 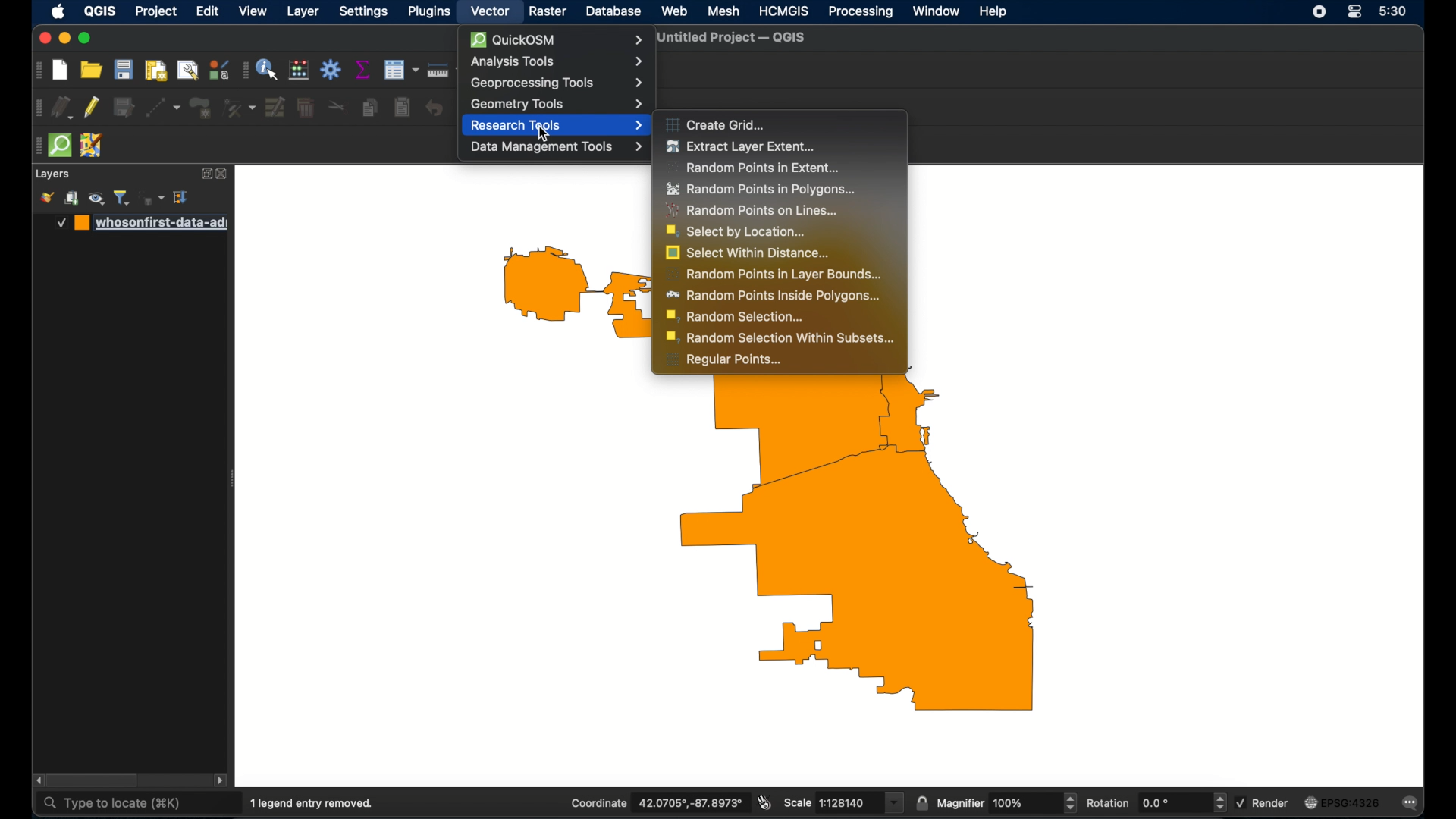 I want to click on whoseonfirst-date-ad, so click(x=142, y=223).